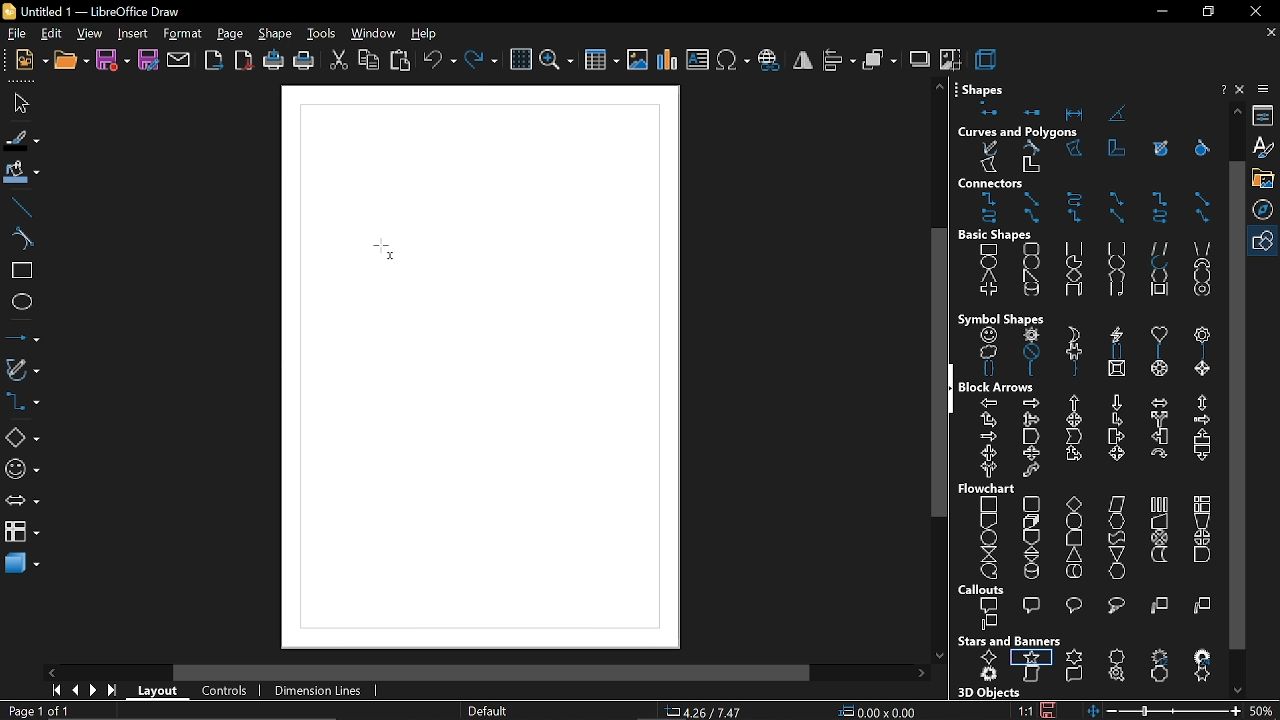  What do you see at coordinates (303, 62) in the screenshot?
I see `print` at bounding box center [303, 62].